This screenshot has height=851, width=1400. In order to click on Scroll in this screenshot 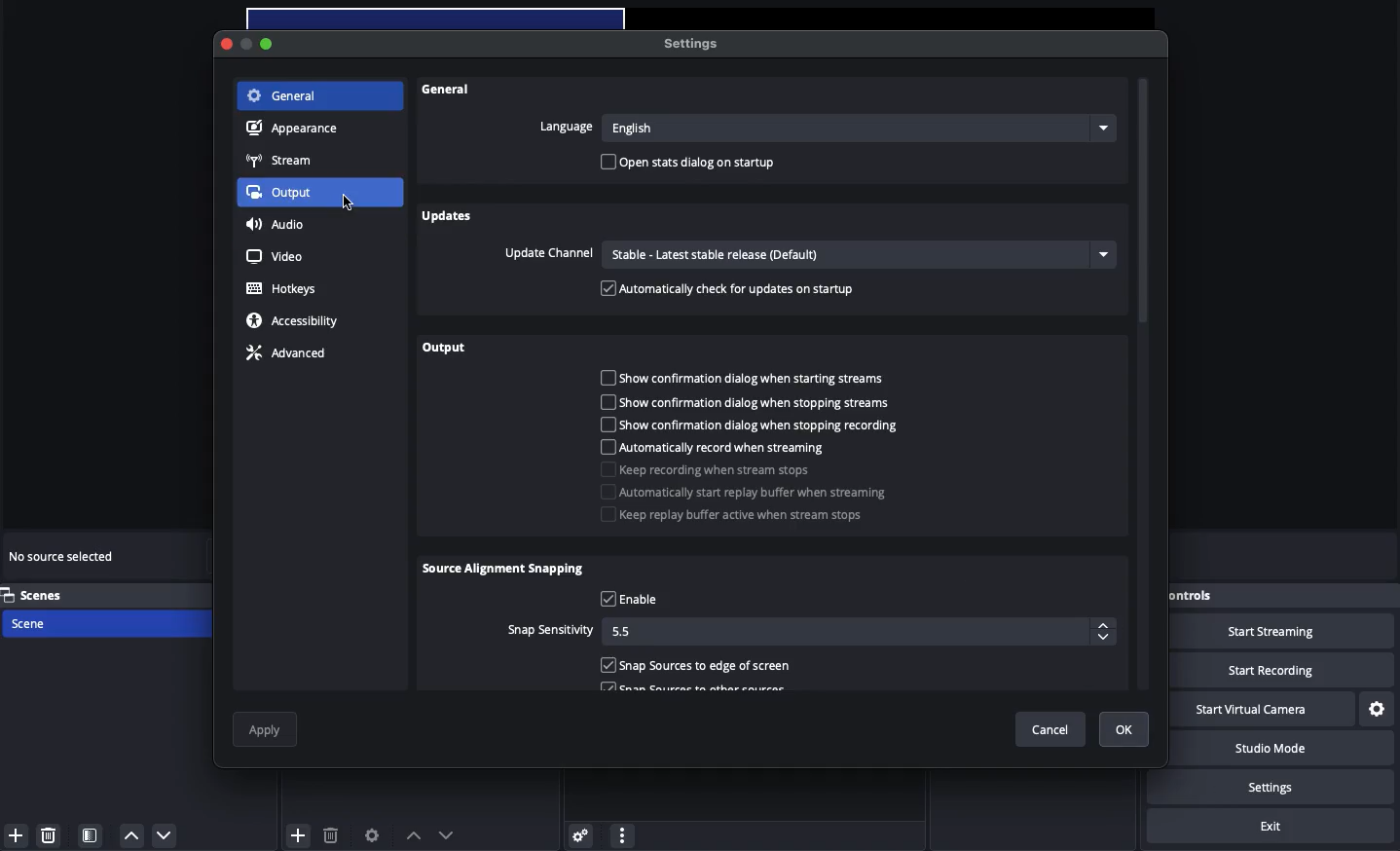, I will do `click(1142, 307)`.